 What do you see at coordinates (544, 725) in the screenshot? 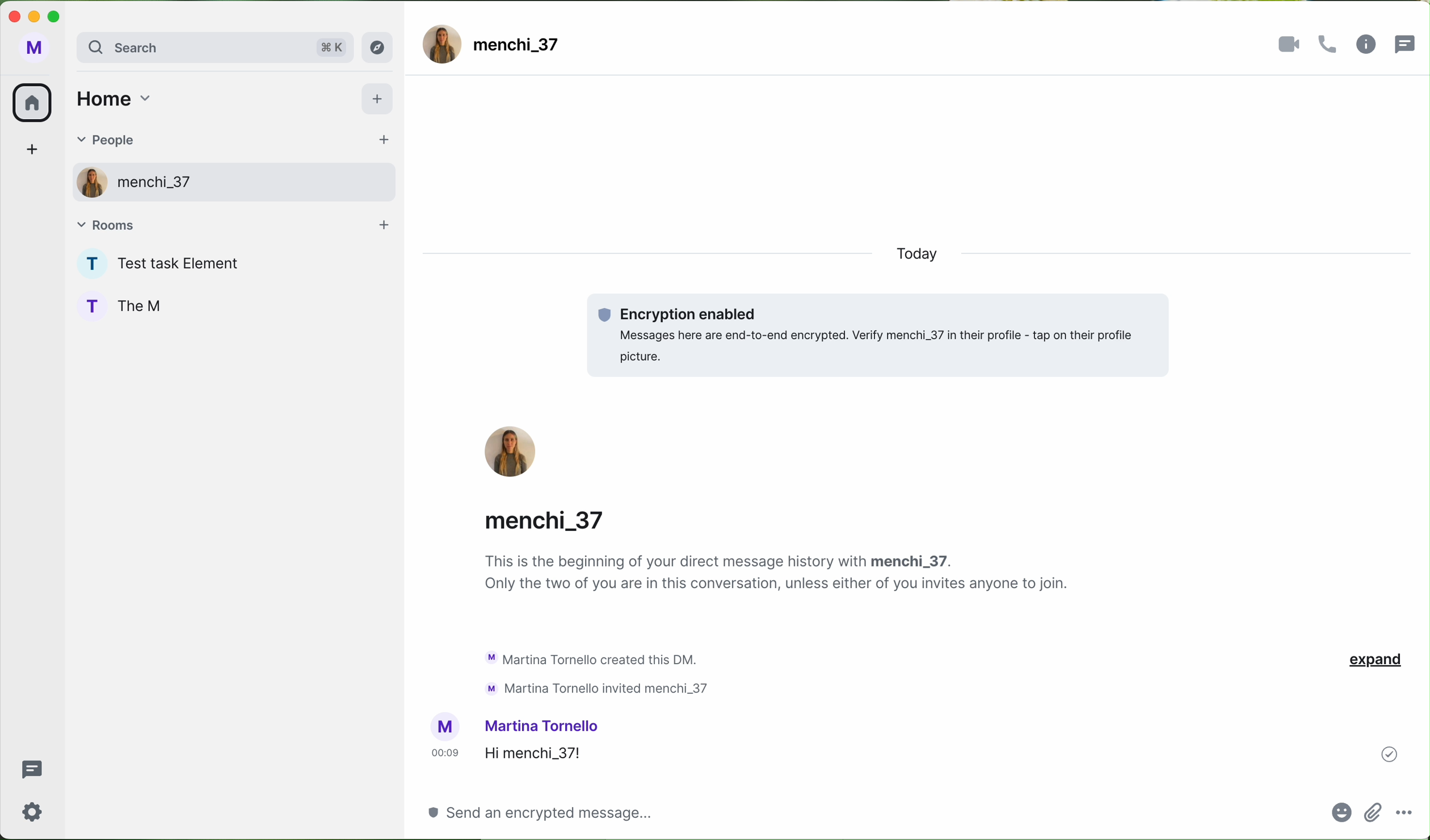
I see `username` at bounding box center [544, 725].